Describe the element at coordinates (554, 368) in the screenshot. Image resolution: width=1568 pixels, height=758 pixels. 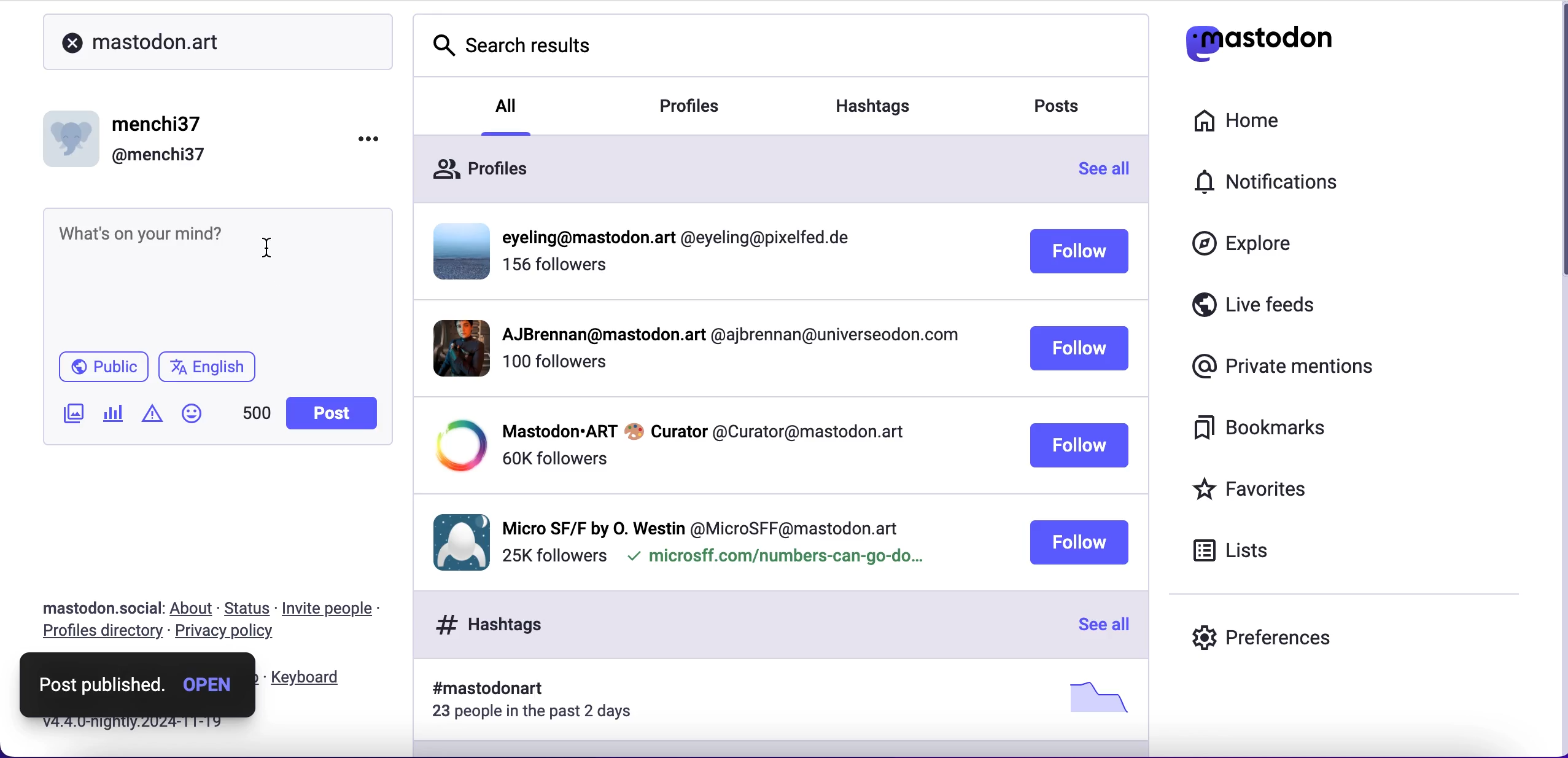
I see `followers` at that location.